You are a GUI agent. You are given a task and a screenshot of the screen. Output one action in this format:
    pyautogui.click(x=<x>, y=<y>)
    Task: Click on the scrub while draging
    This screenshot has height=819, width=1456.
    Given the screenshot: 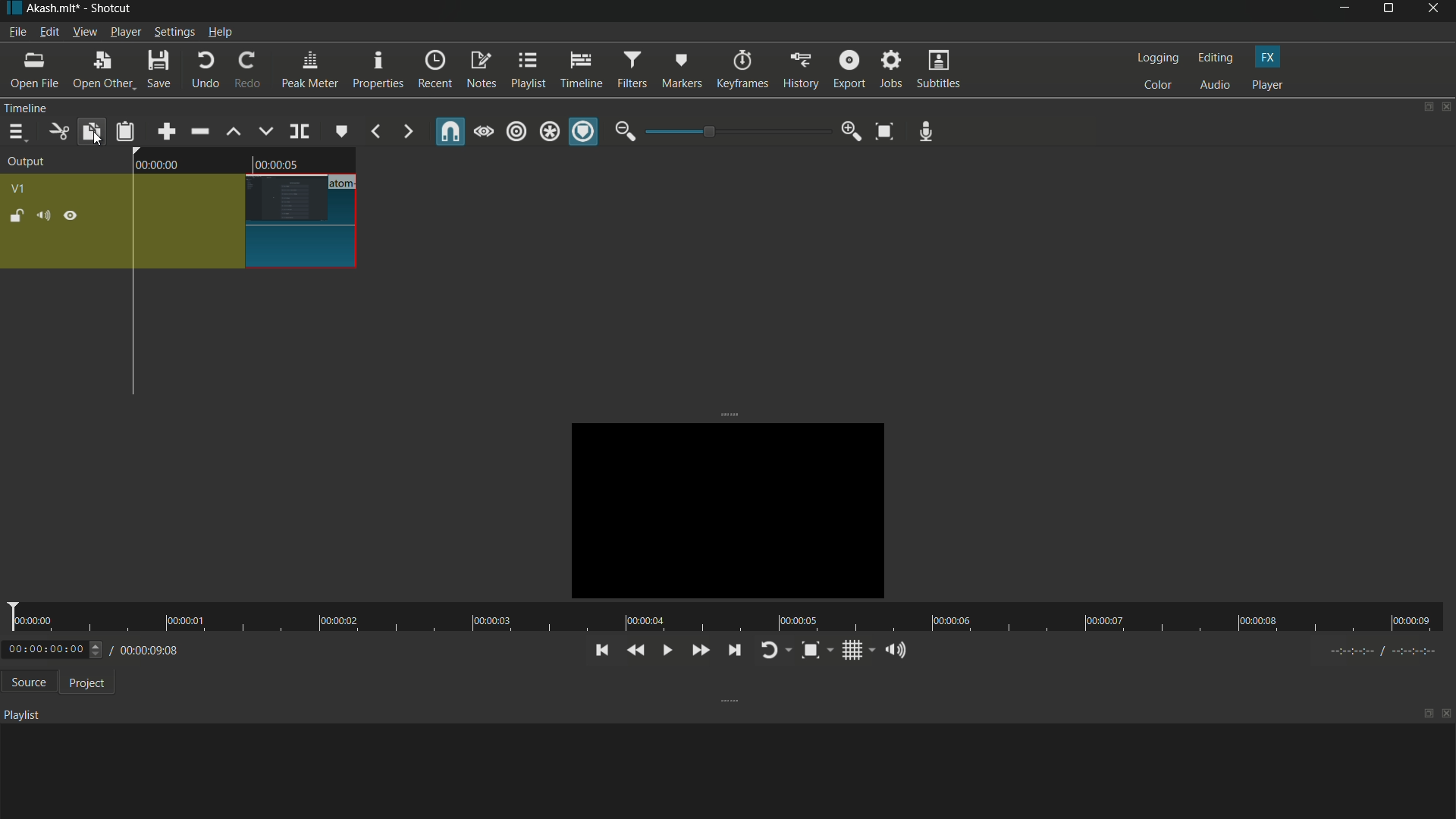 What is the action you would take?
    pyautogui.click(x=485, y=131)
    